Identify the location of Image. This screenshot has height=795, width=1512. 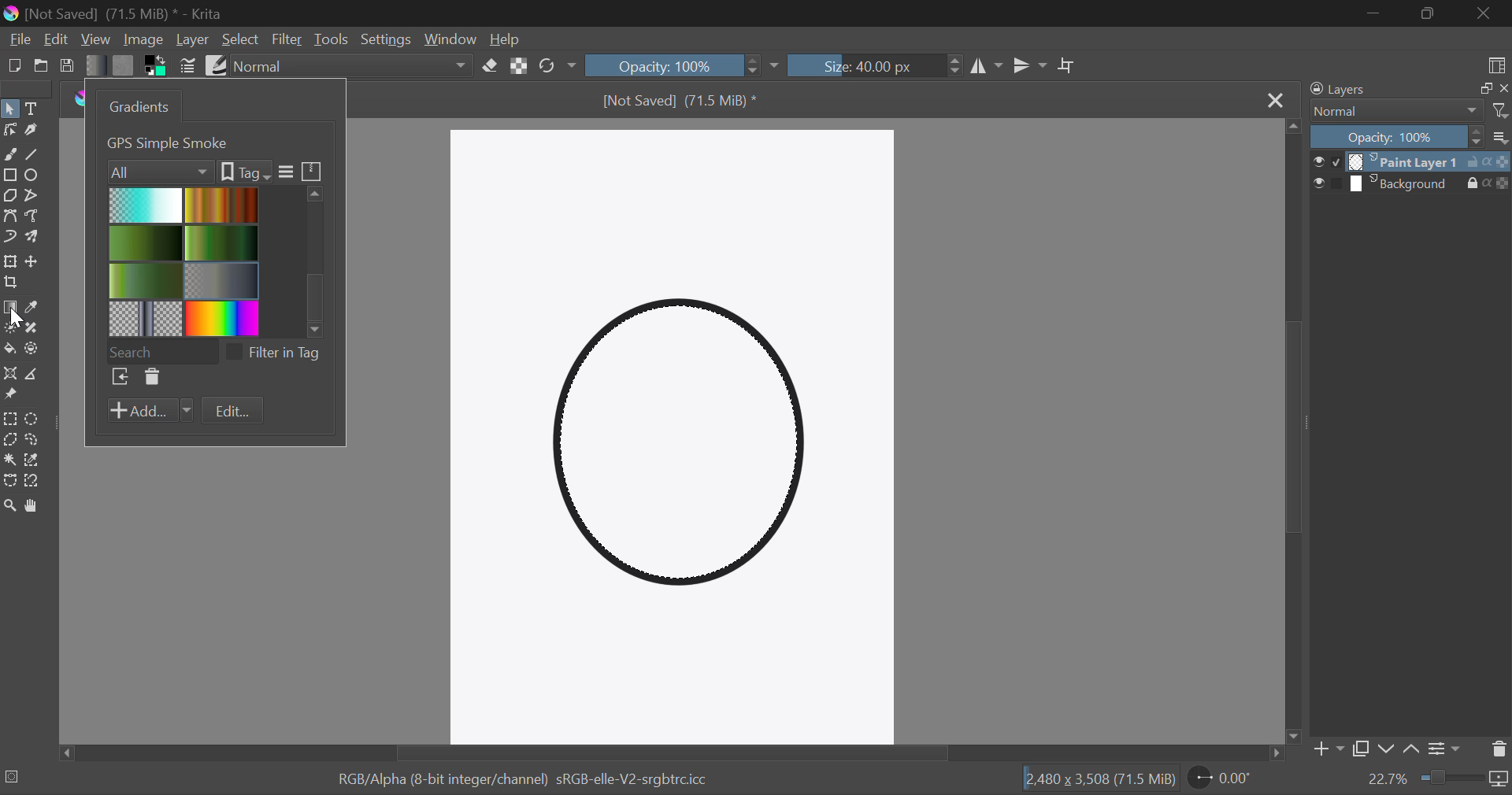
(145, 41).